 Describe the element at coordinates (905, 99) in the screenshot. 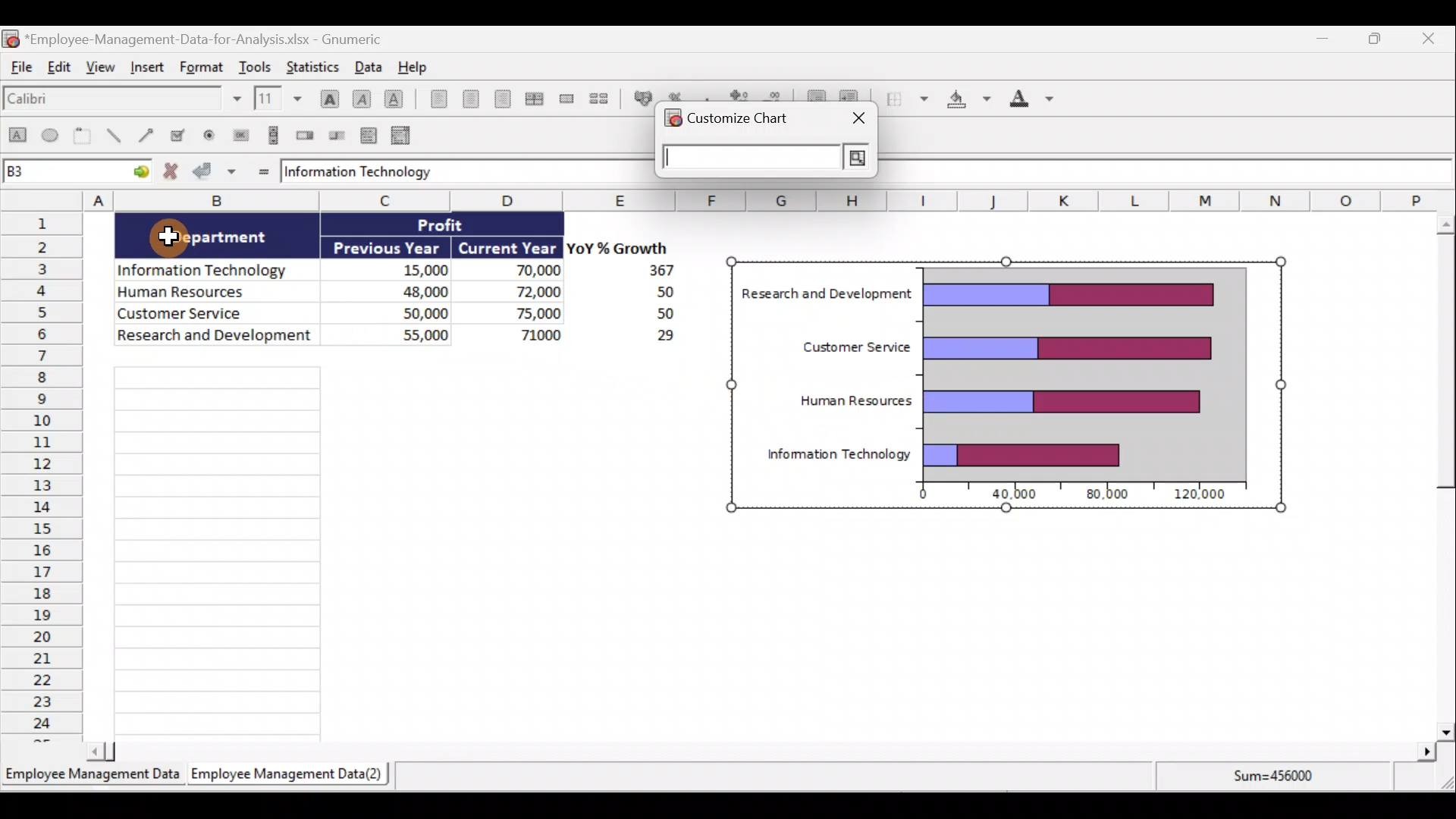

I see `Borders` at that location.